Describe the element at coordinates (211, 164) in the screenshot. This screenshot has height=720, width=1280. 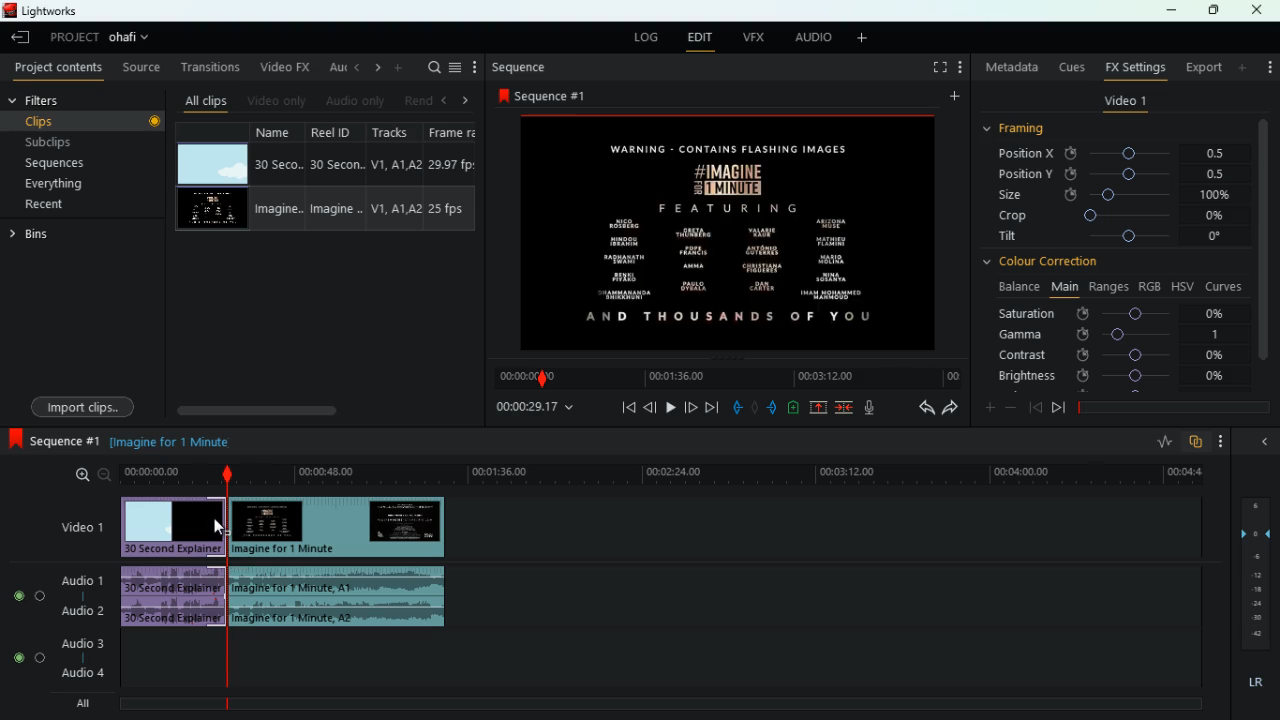
I see `video` at that location.